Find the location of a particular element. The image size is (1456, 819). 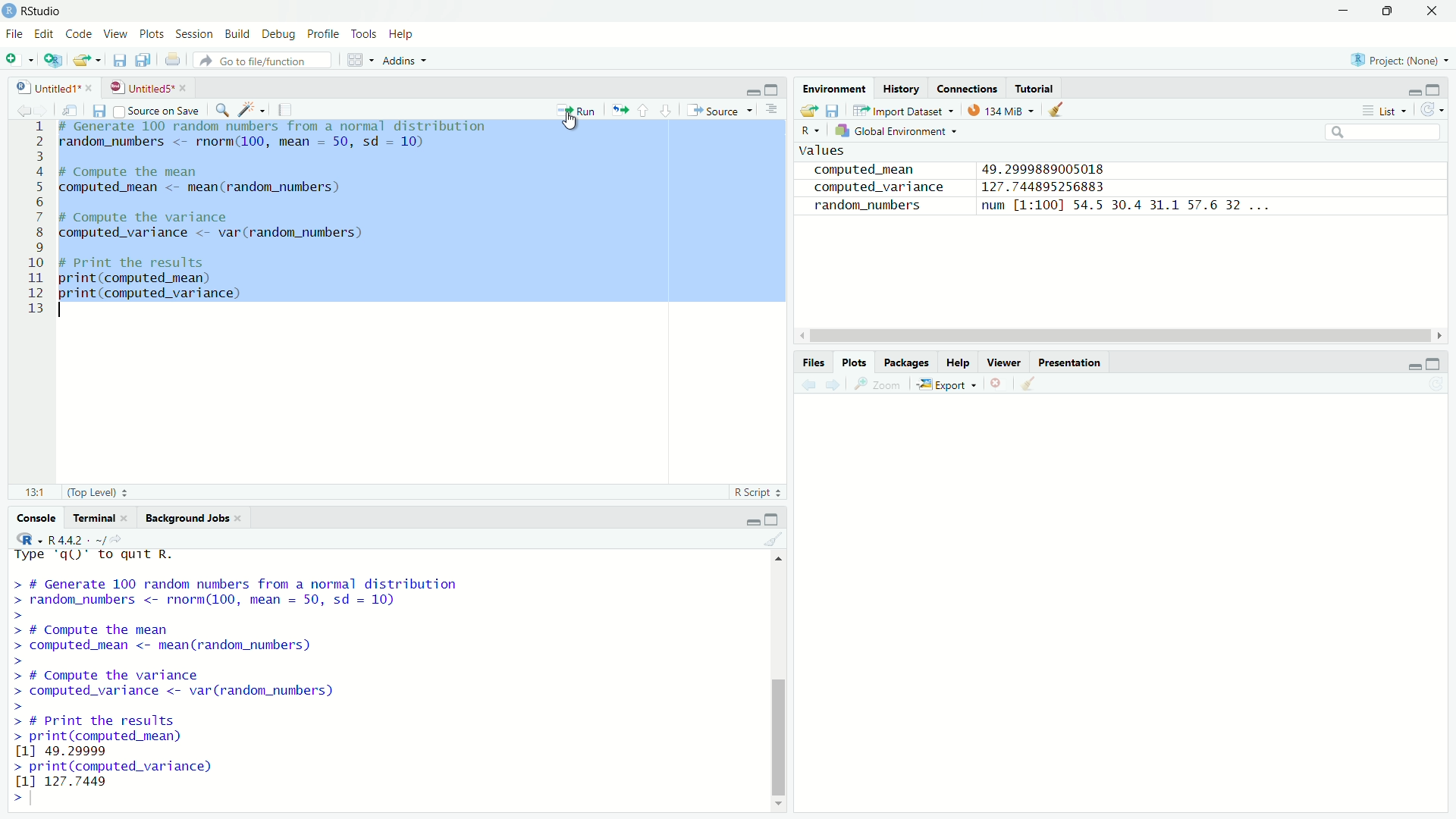

typing cursor is located at coordinates (67, 309).